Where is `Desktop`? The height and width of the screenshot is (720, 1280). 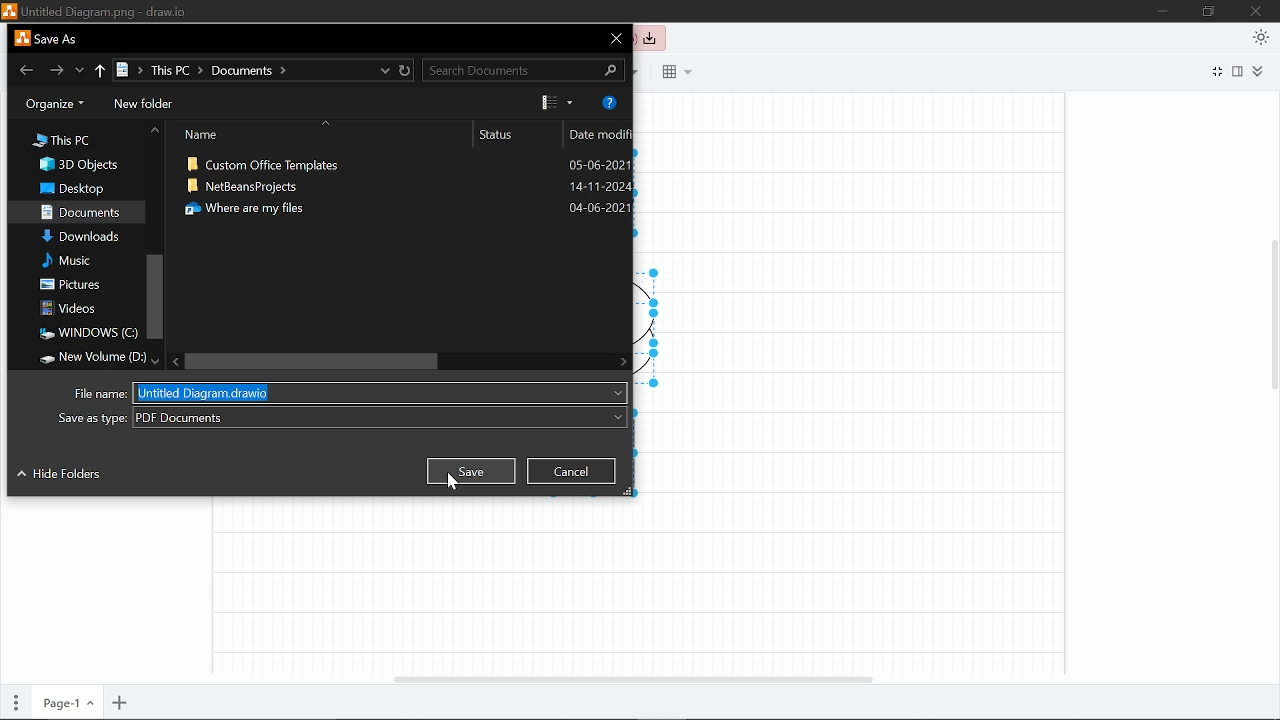
Desktop is located at coordinates (76, 189).